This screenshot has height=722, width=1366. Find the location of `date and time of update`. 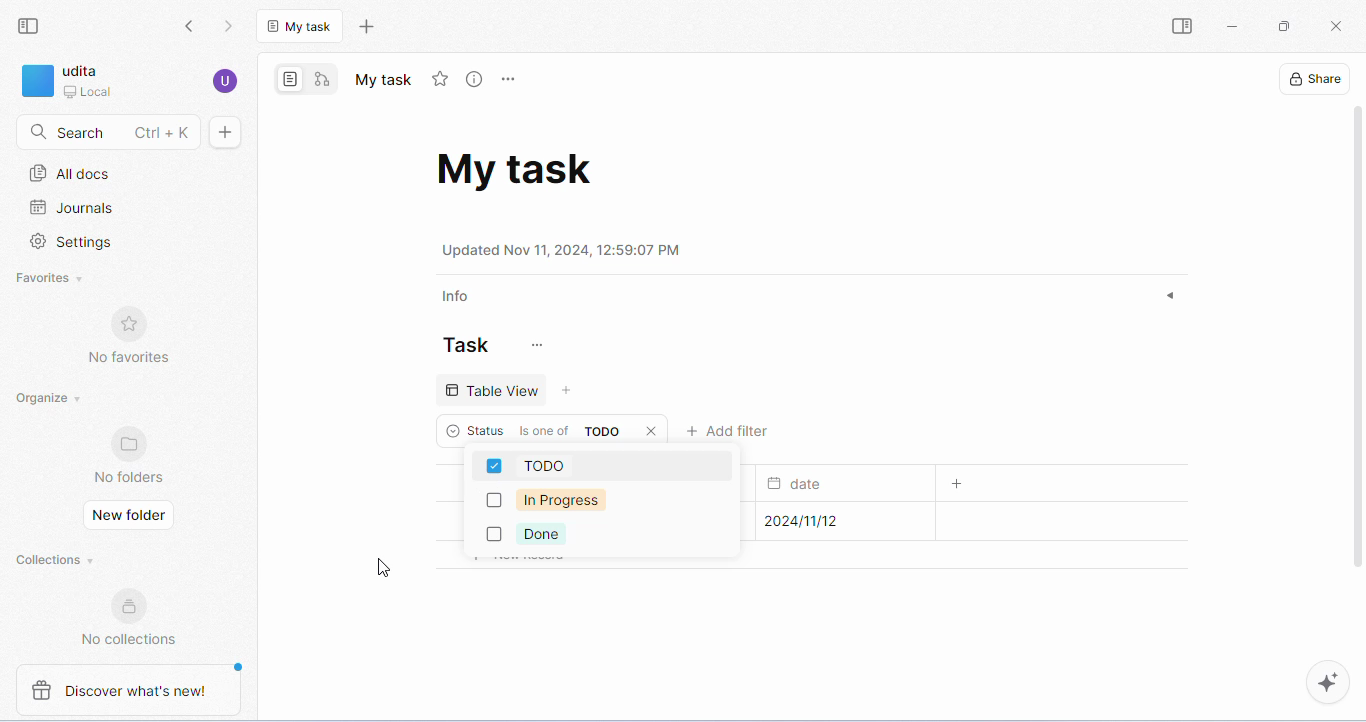

date and time of update is located at coordinates (565, 249).